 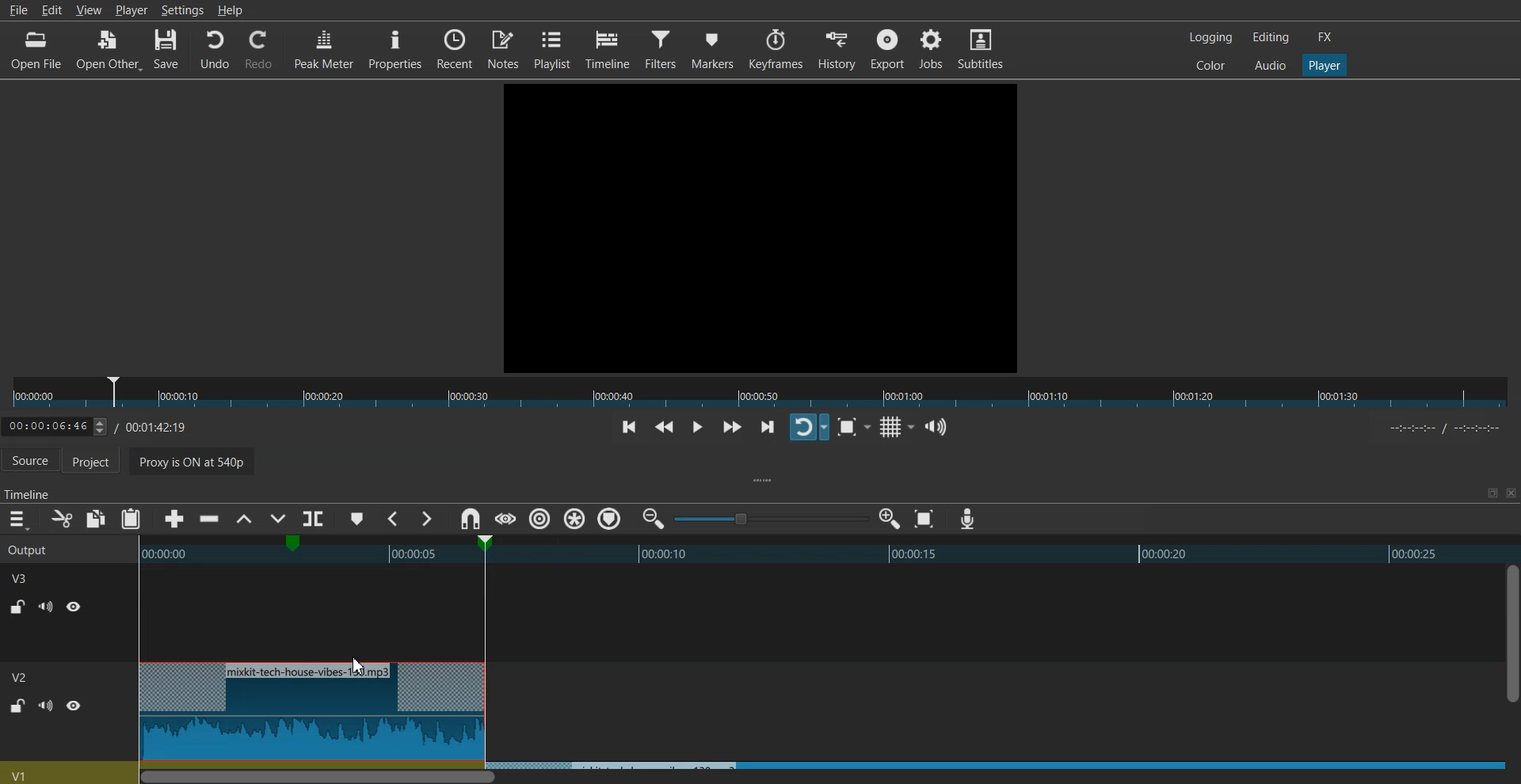 I want to click on Ripple, so click(x=540, y=519).